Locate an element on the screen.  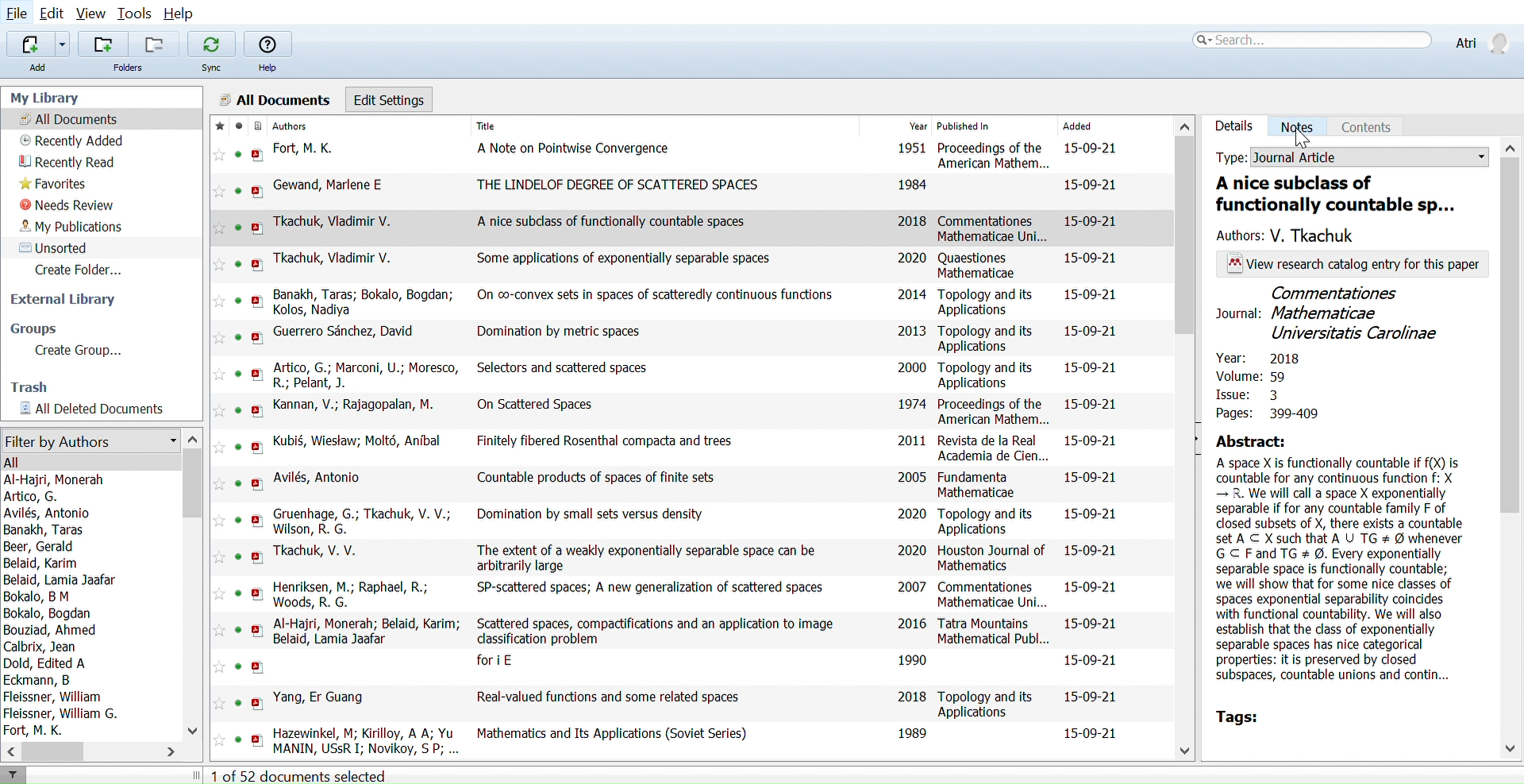
Year is located at coordinates (918, 126).